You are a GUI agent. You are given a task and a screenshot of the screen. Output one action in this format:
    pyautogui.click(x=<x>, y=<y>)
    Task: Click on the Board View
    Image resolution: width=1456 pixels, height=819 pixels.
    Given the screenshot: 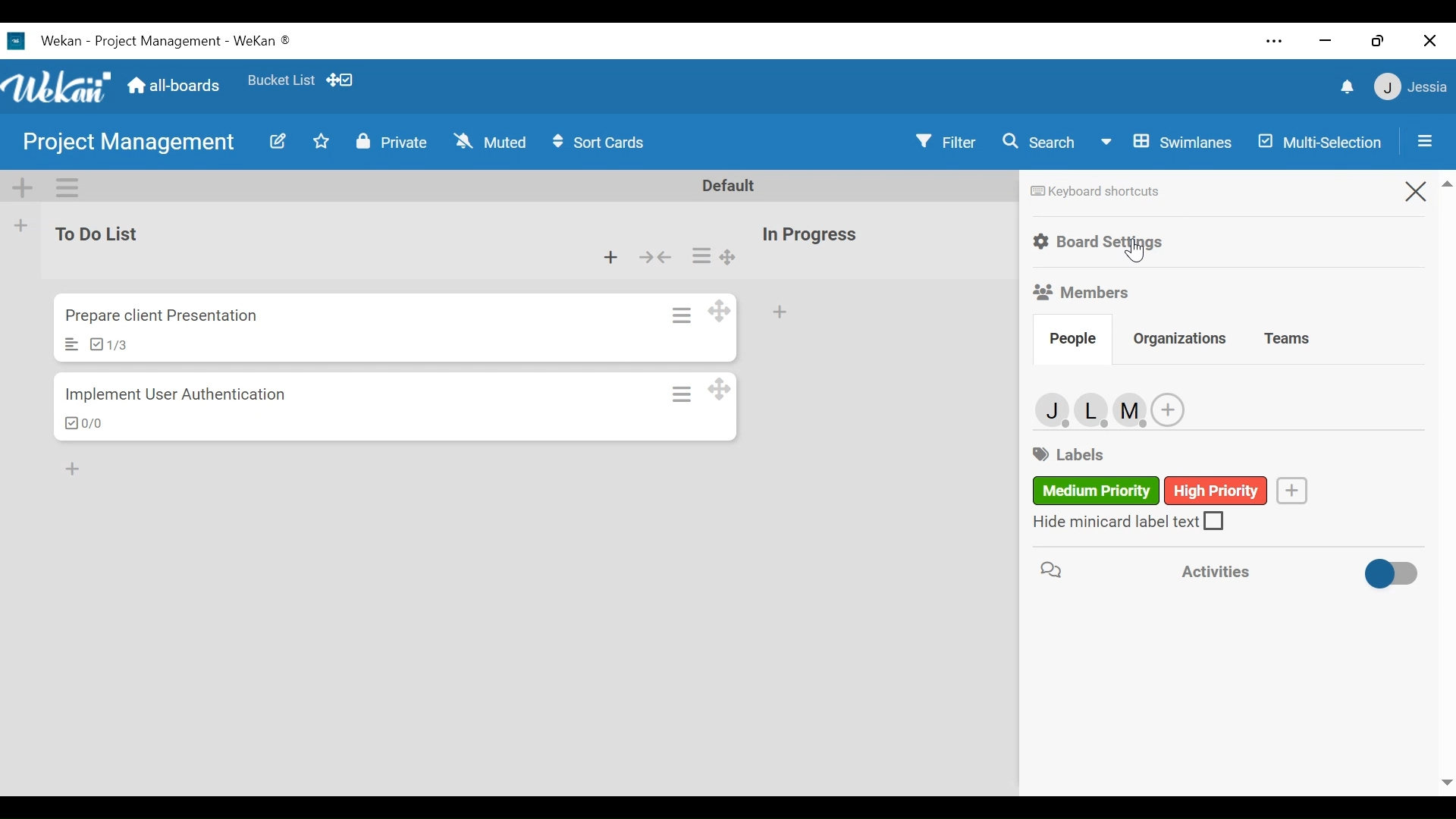 What is the action you would take?
    pyautogui.click(x=1167, y=144)
    